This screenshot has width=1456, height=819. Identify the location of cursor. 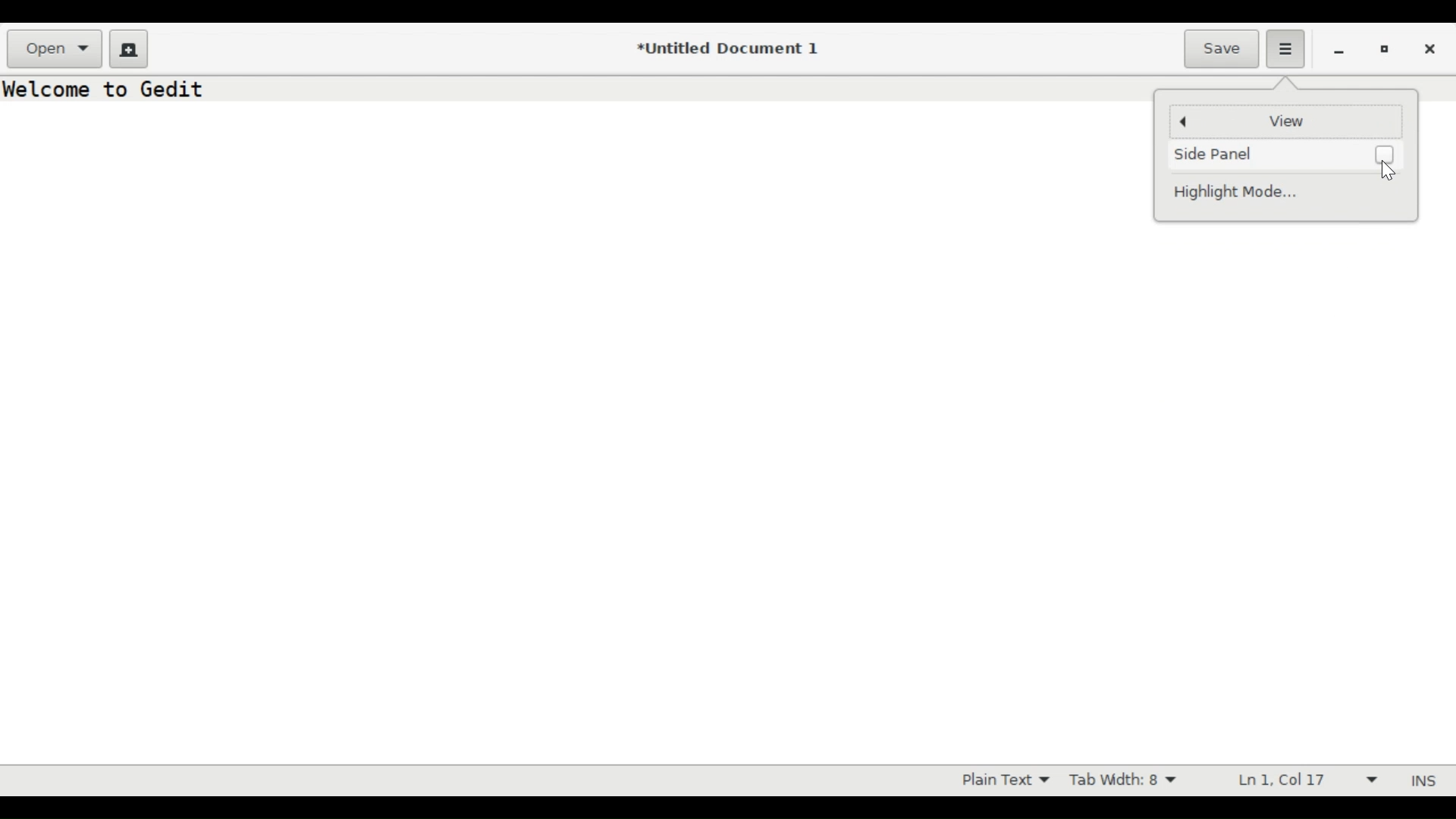
(1392, 172).